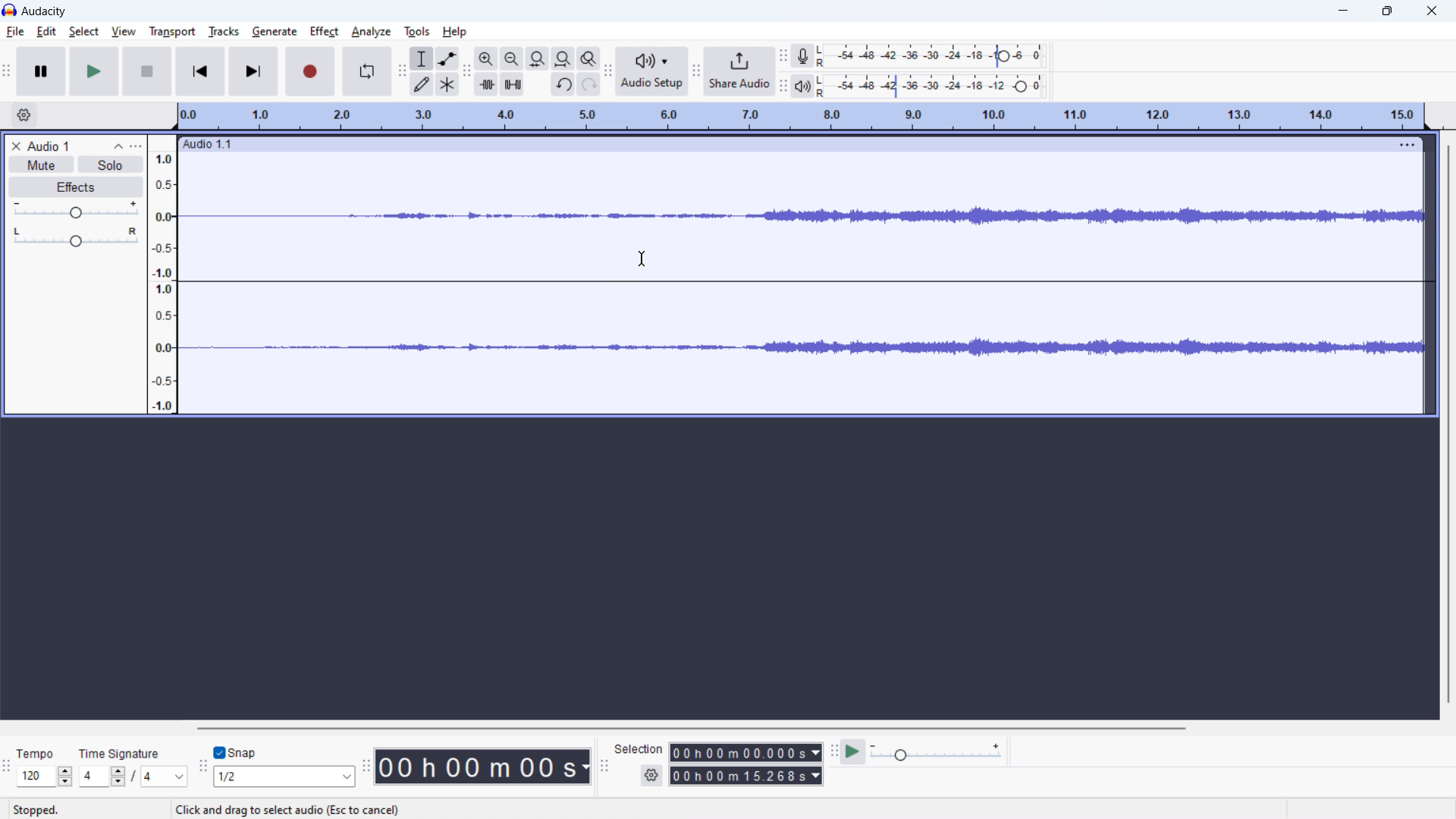  What do you see at coordinates (400, 71) in the screenshot?
I see `tools toolbar` at bounding box center [400, 71].